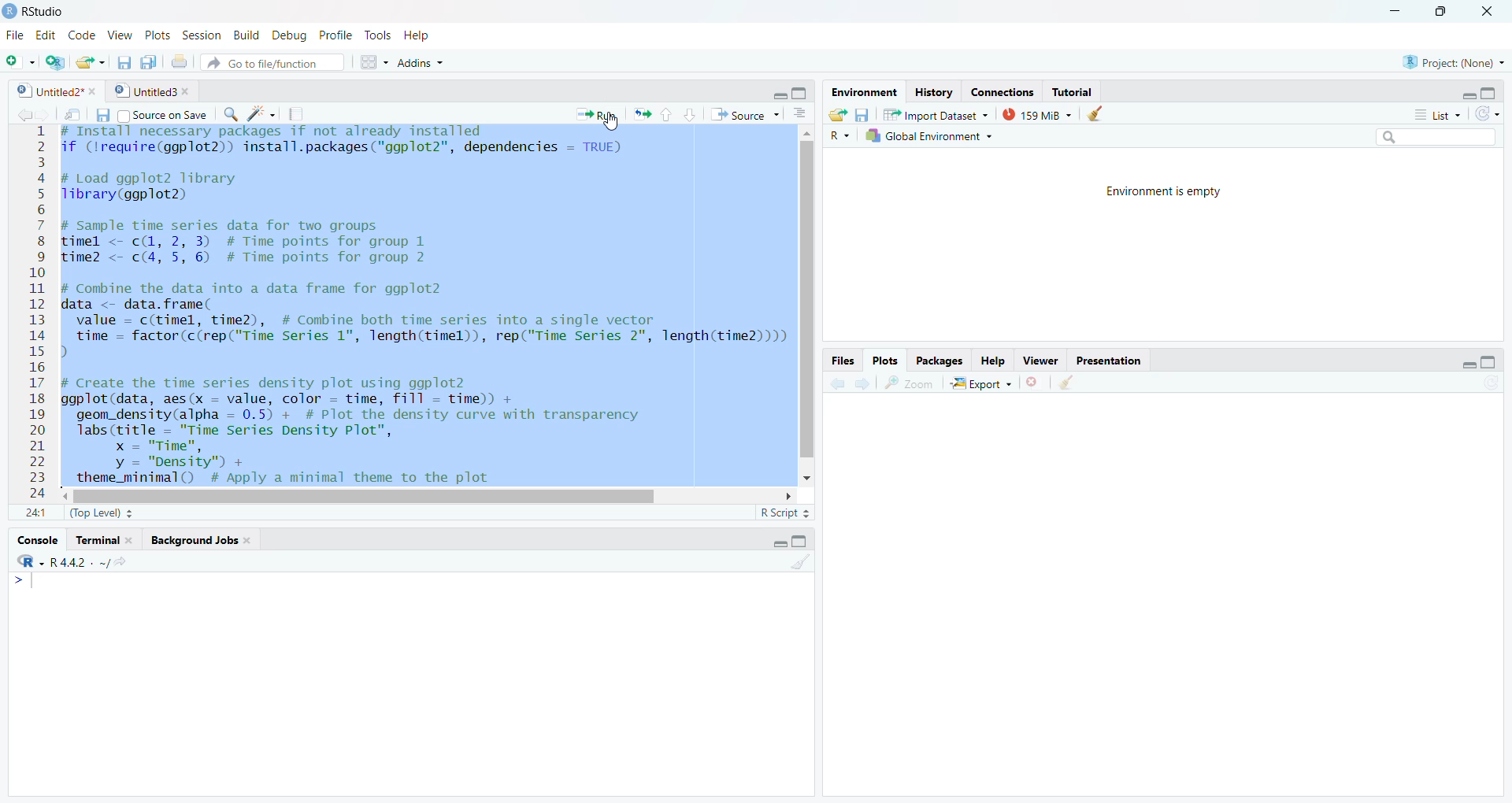 This screenshot has height=803, width=1512. I want to click on Debug, so click(287, 33).